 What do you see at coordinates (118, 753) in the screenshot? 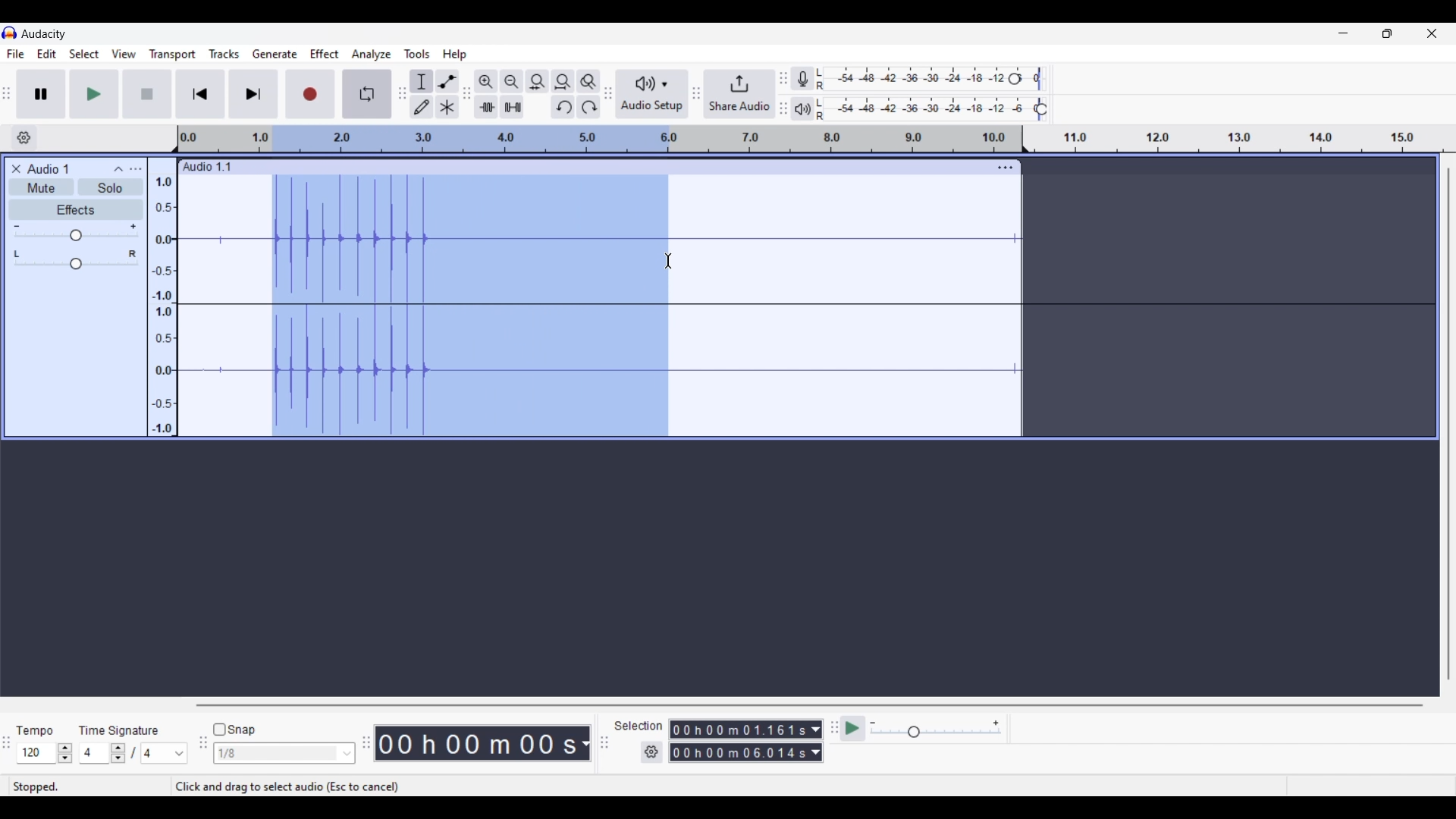
I see `Increase/Decrease time signature` at bounding box center [118, 753].